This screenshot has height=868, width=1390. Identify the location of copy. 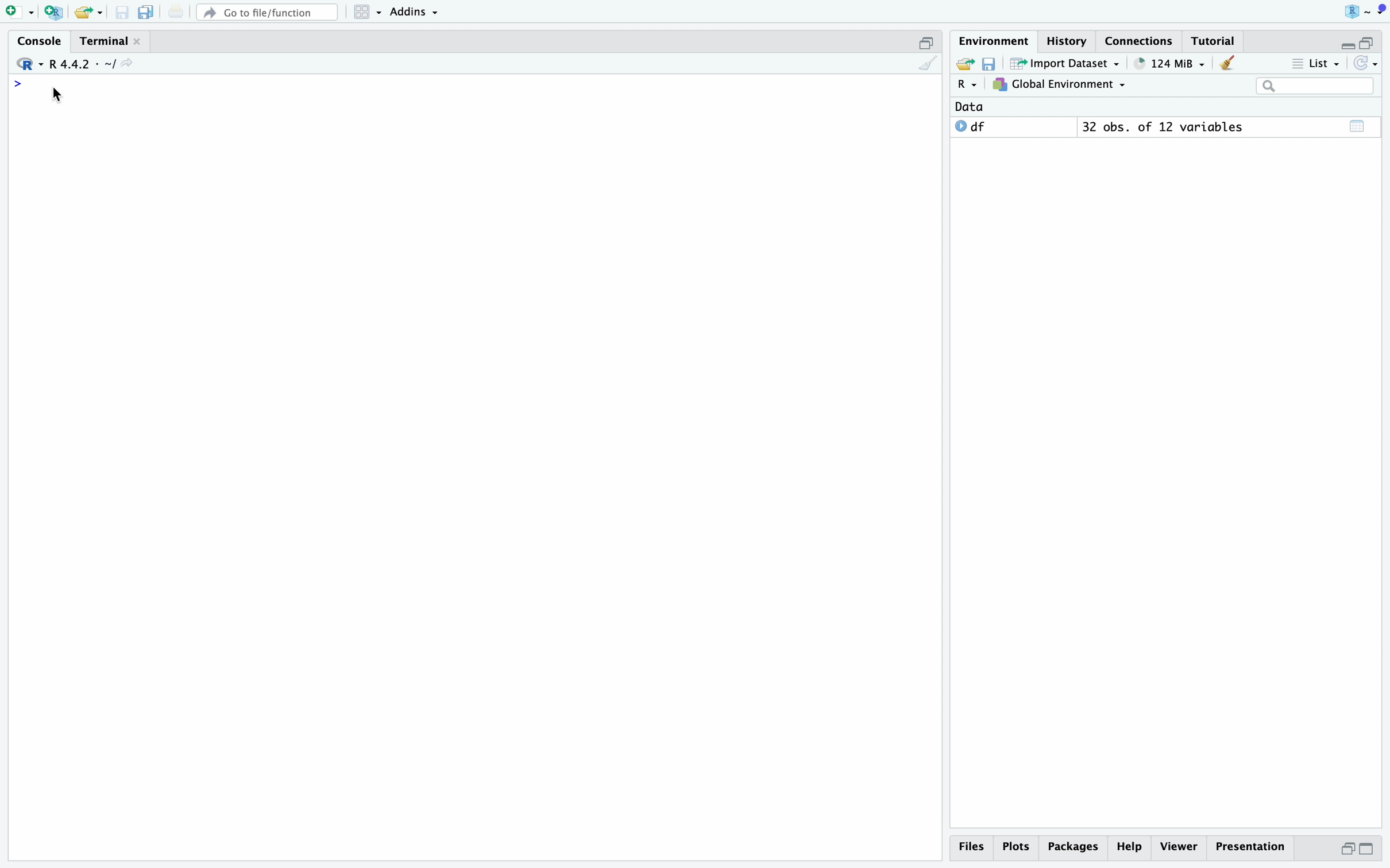
(146, 12).